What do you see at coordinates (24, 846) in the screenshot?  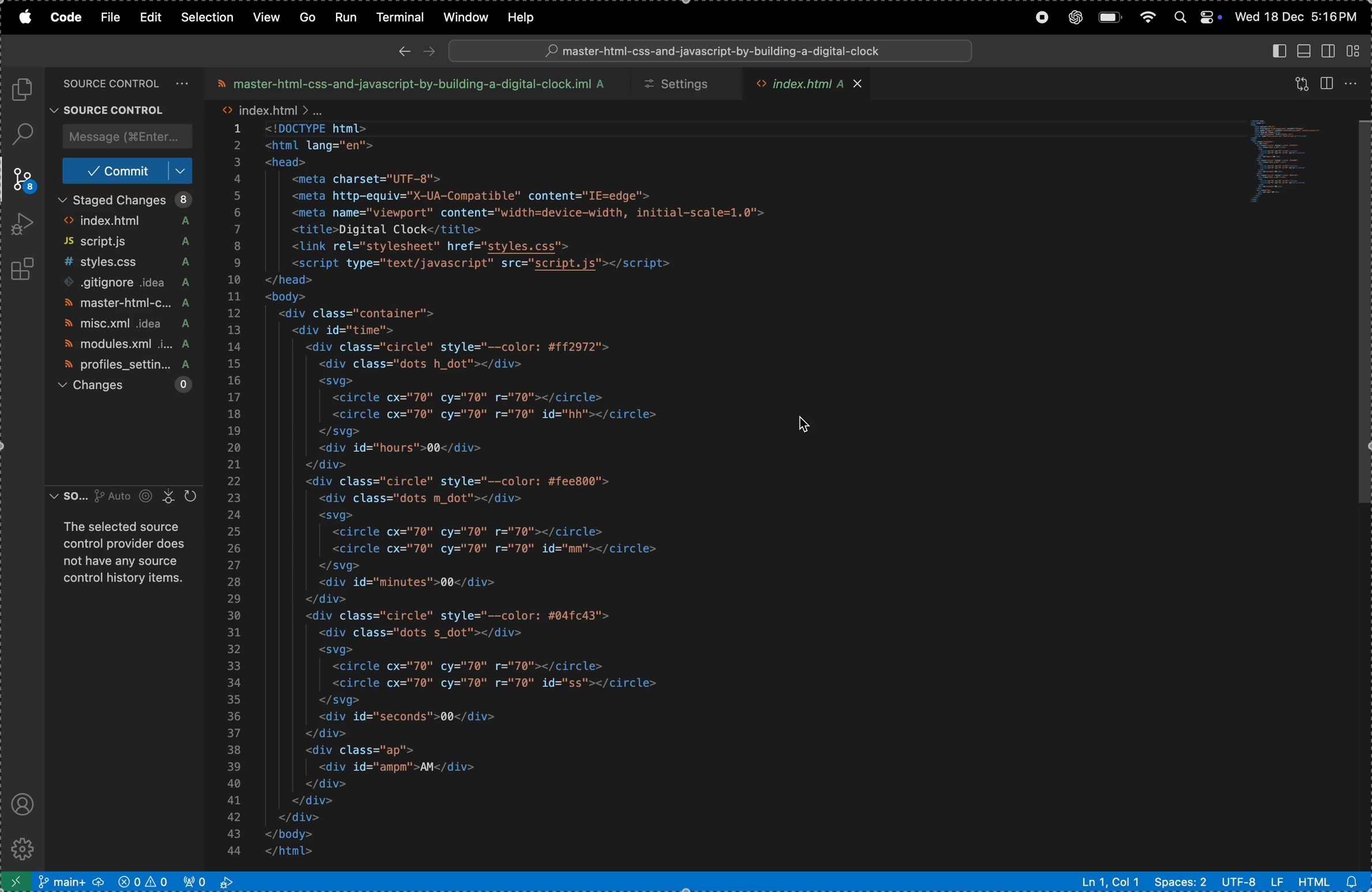 I see `settings` at bounding box center [24, 846].